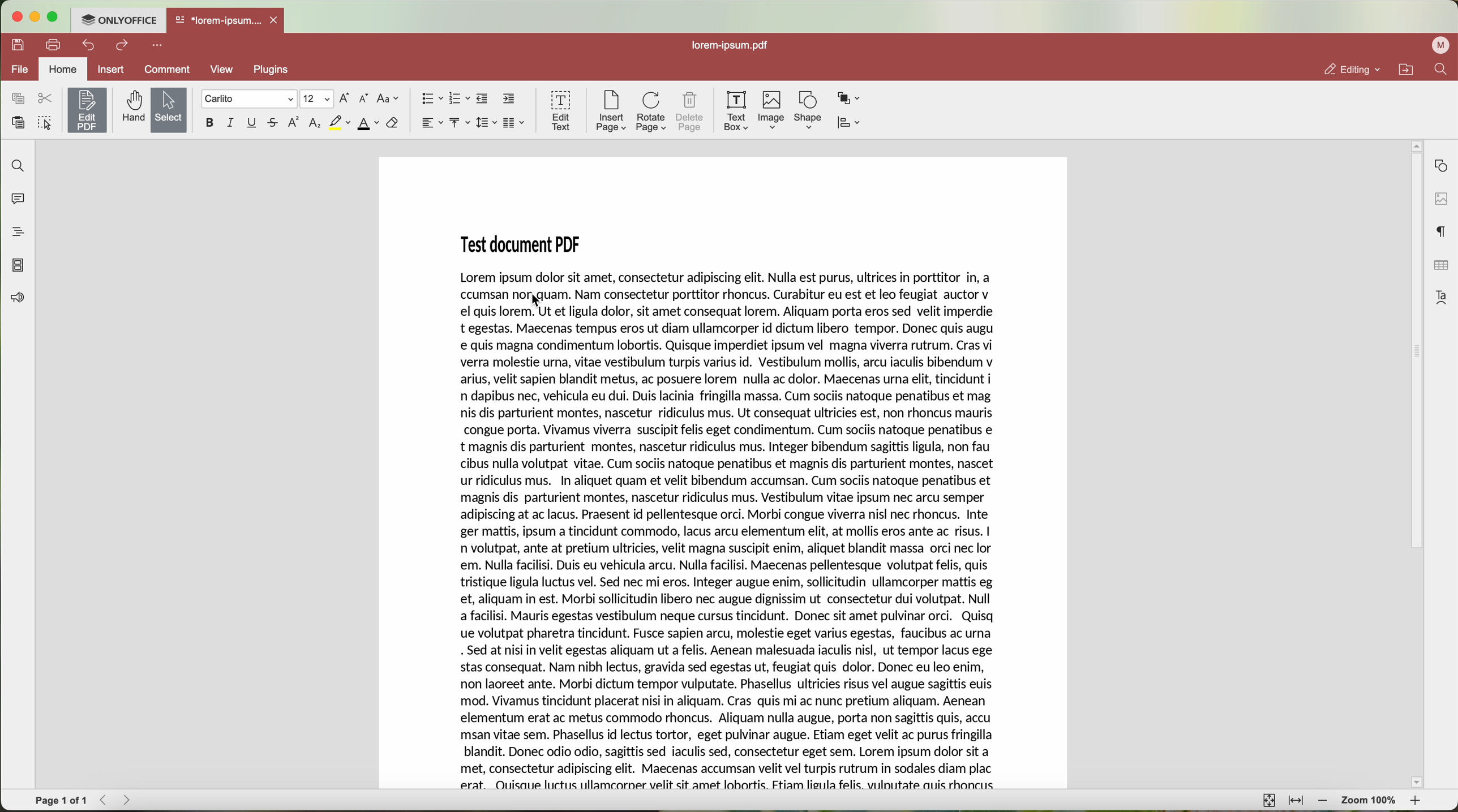 This screenshot has height=812, width=1458. I want to click on Select, so click(168, 110).